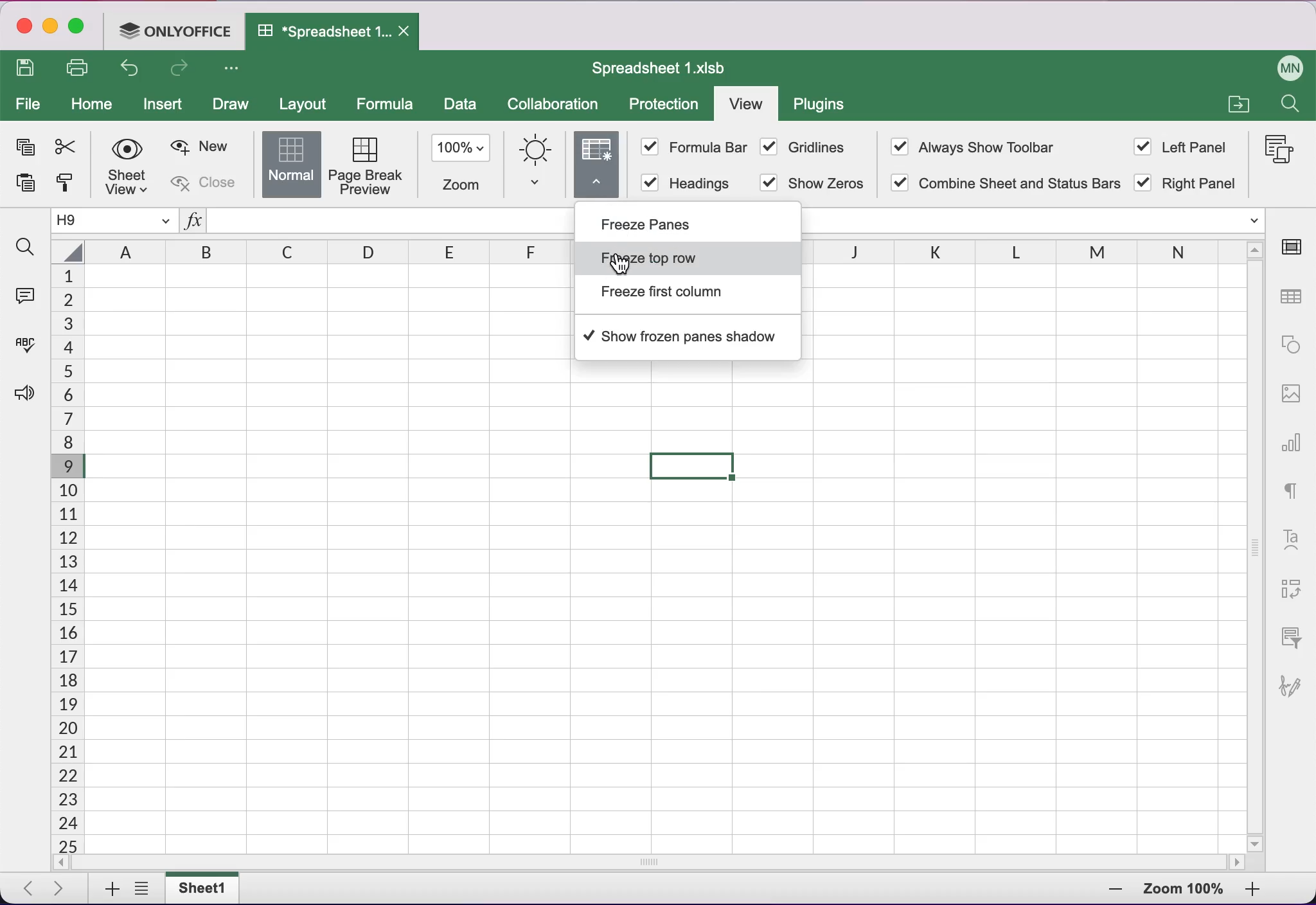 This screenshot has height=905, width=1316. Describe the element at coordinates (598, 168) in the screenshot. I see `fraze panes` at that location.